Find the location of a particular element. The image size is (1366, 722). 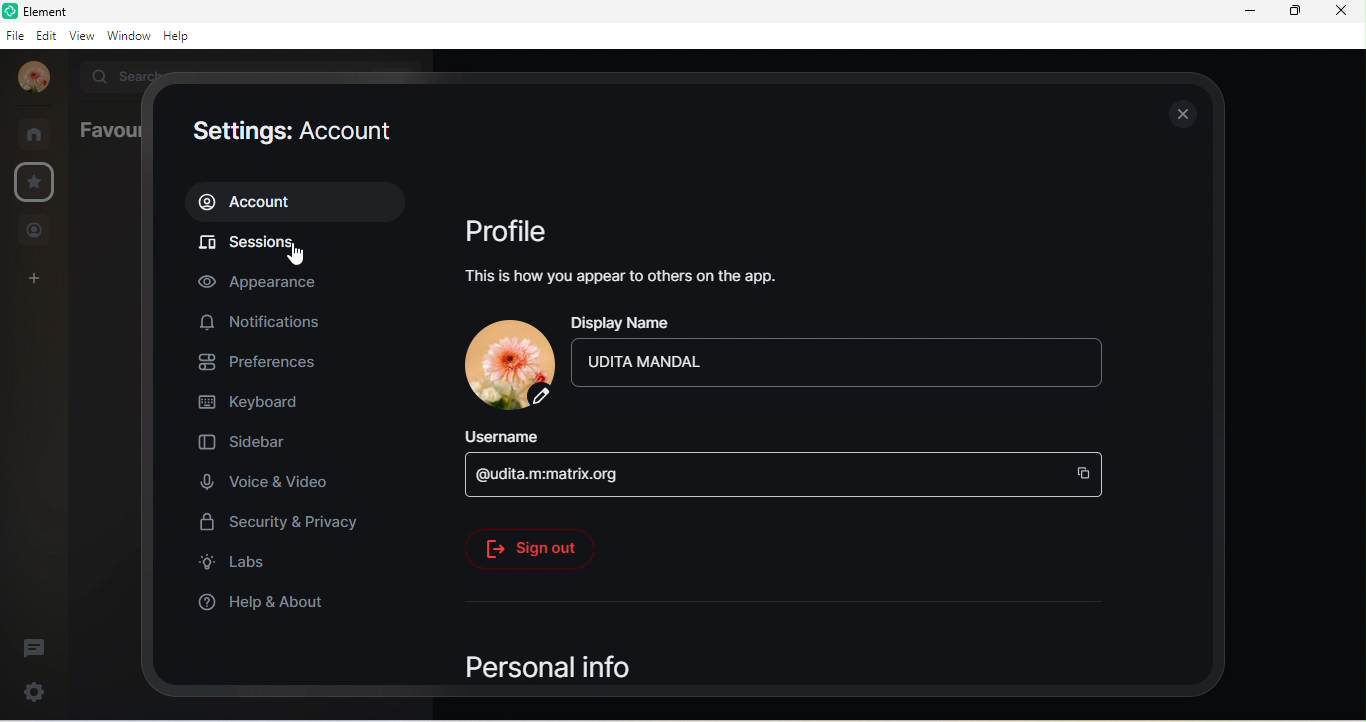

sign out is located at coordinates (530, 546).